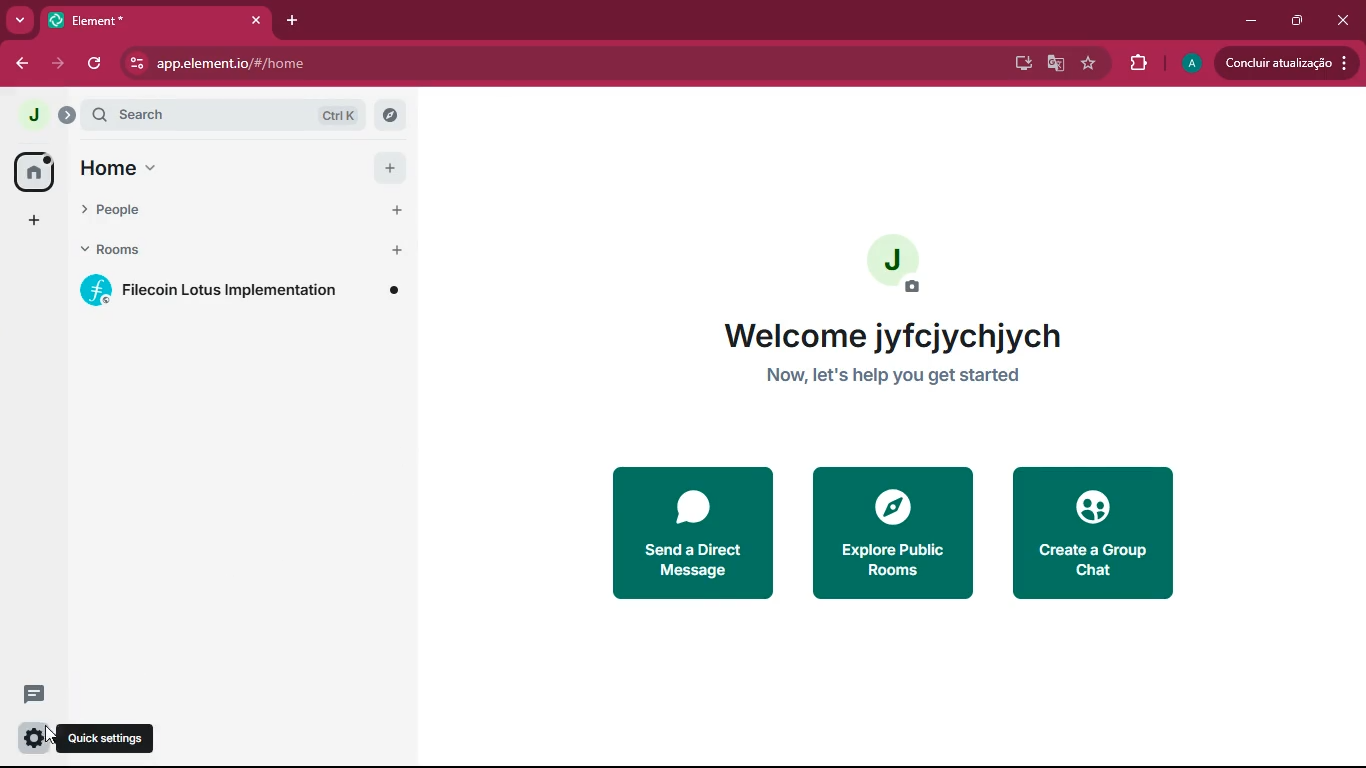  Describe the element at coordinates (1022, 65) in the screenshot. I see `desktop` at that location.